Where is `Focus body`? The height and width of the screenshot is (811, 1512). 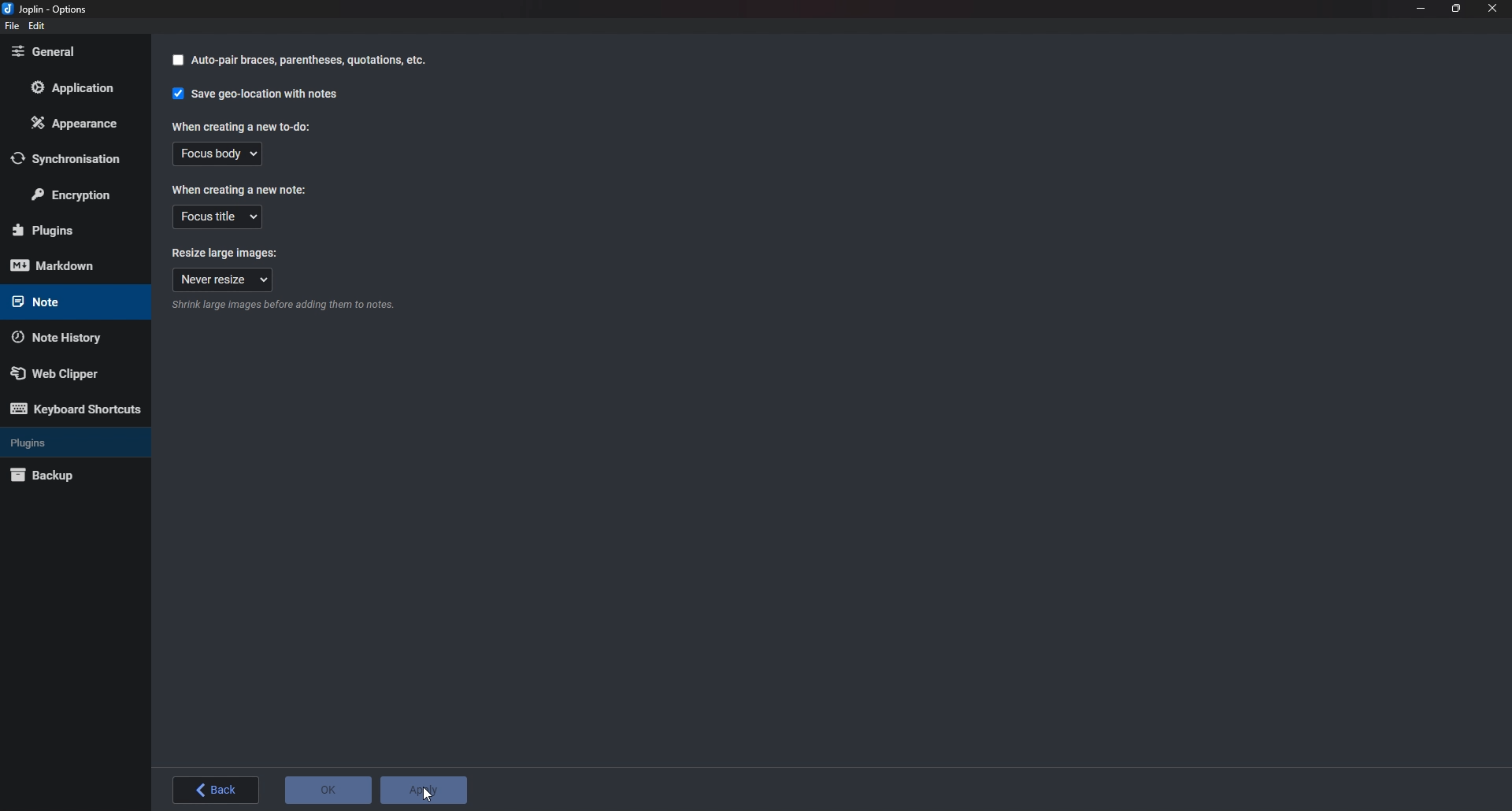 Focus body is located at coordinates (213, 155).